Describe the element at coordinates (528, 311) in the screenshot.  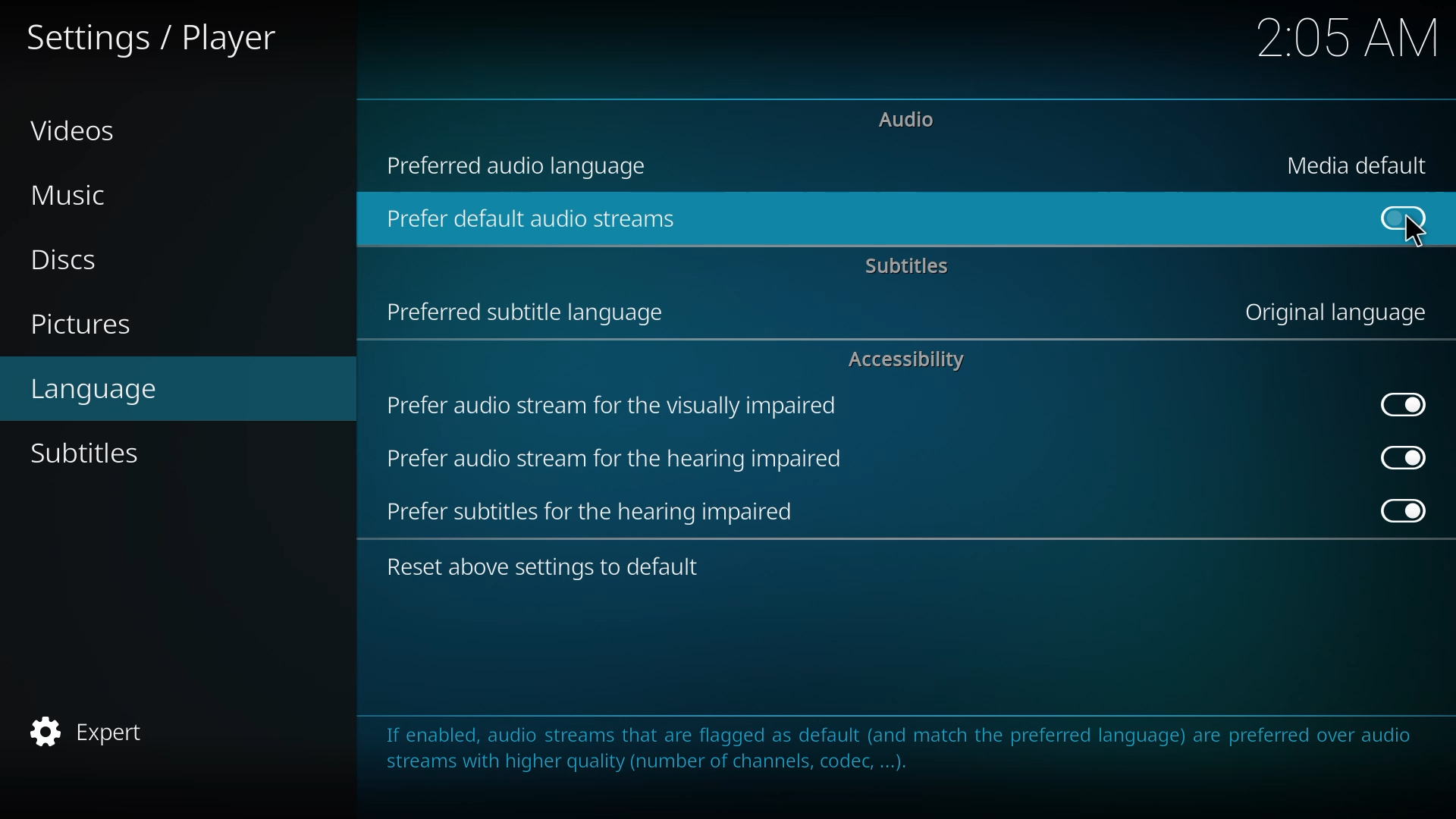
I see `preferred subtitle language` at that location.